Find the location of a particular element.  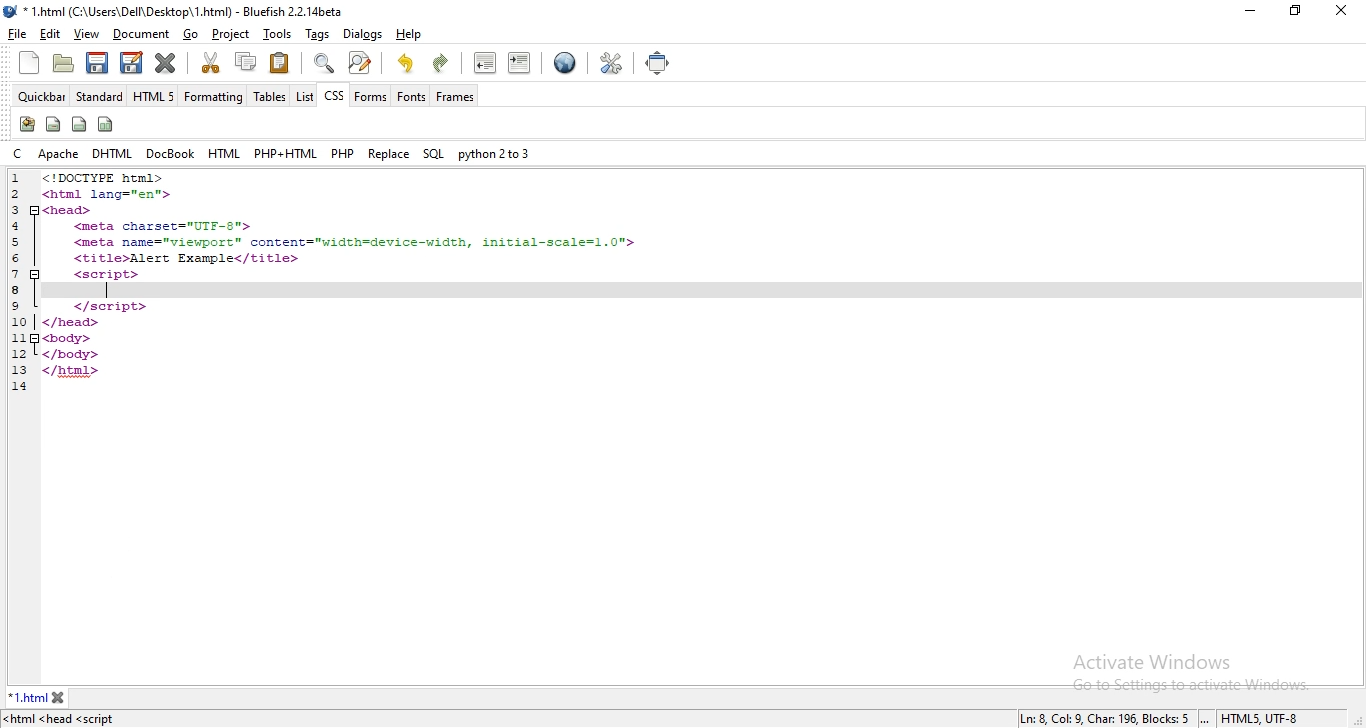

search is located at coordinates (361, 62).